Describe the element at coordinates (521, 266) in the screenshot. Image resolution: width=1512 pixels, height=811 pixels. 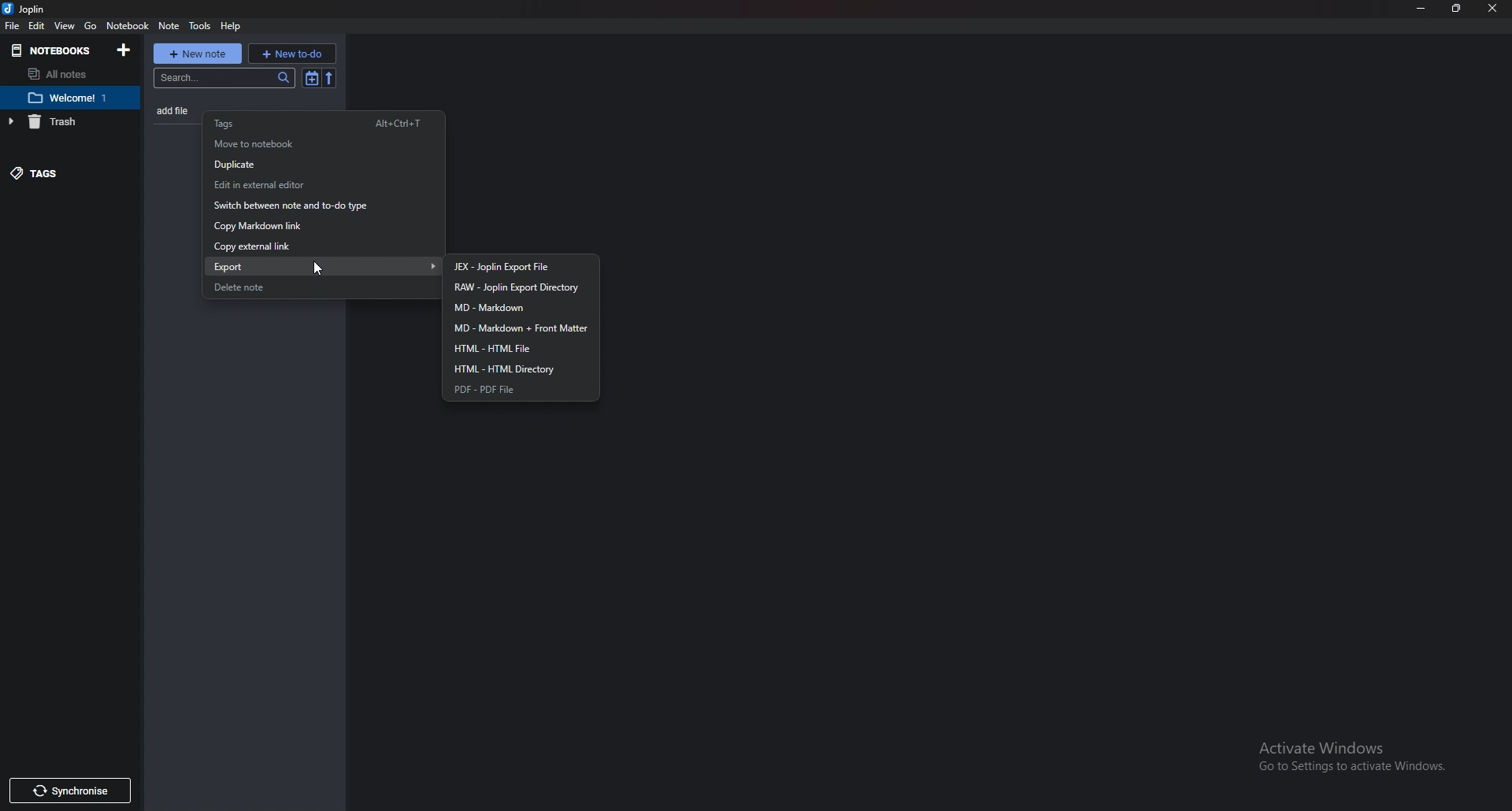
I see `jex` at that location.